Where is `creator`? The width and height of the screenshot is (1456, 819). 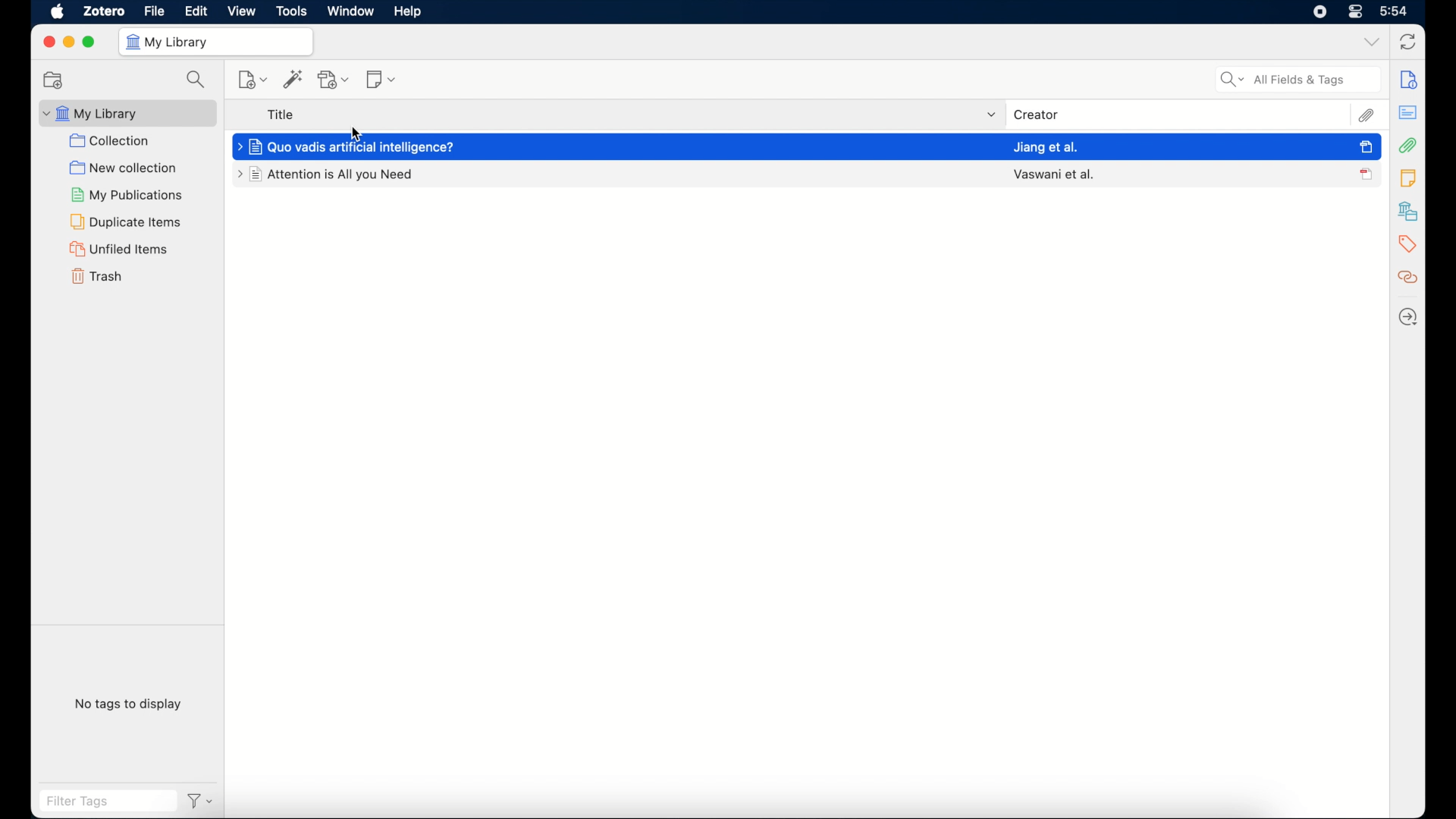
creator is located at coordinates (1037, 115).